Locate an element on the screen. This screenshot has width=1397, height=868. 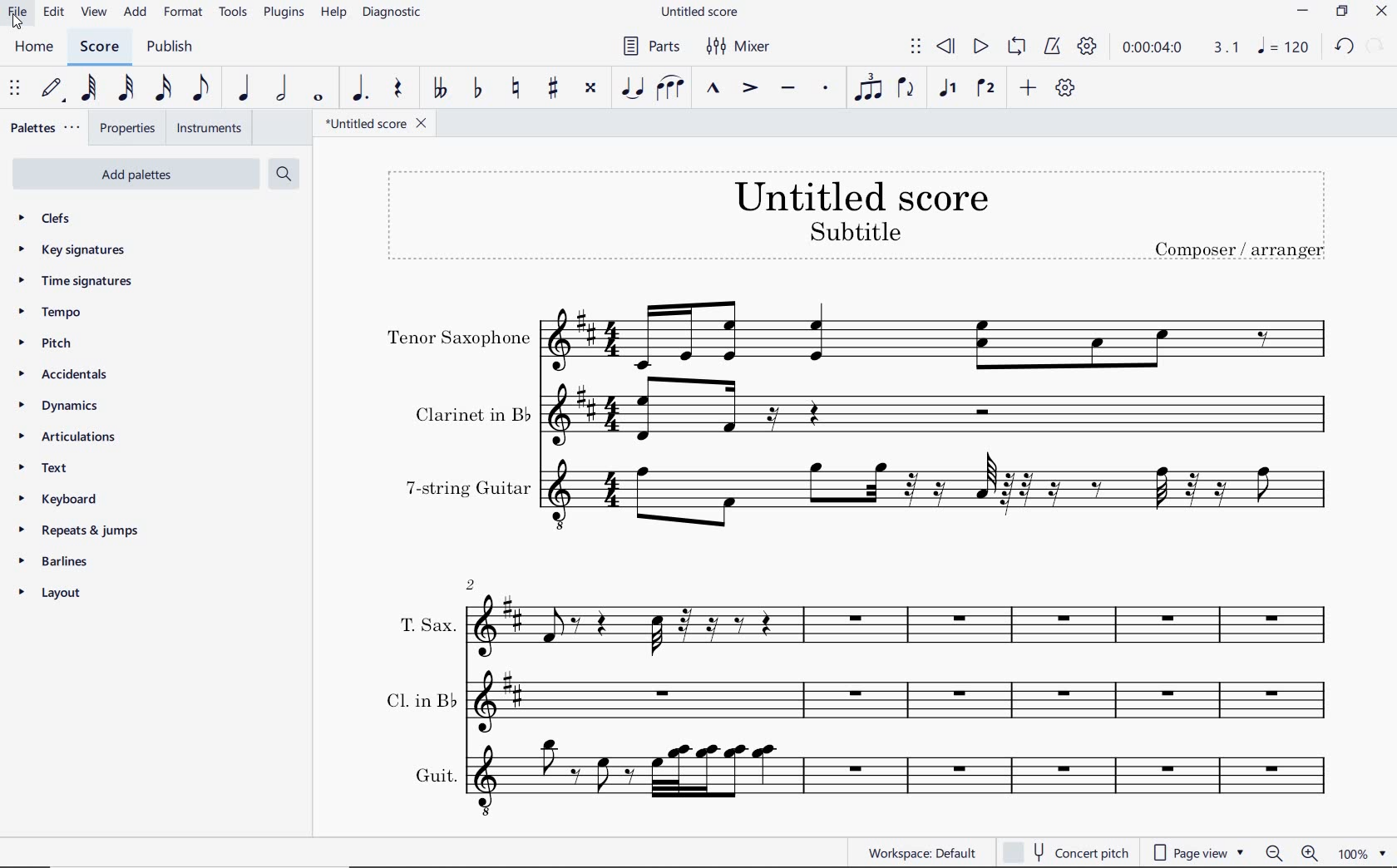
Cl. in B is located at coordinates (859, 703).